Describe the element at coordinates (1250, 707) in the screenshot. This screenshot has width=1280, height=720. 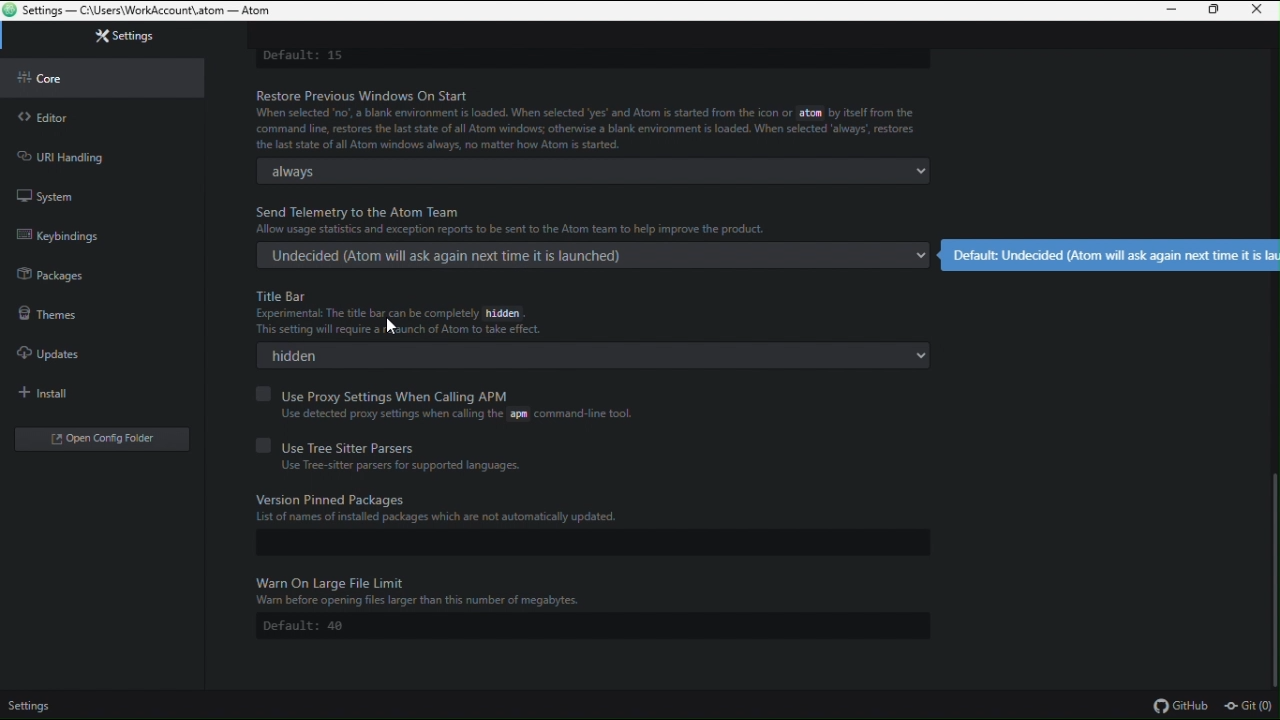
I see `git` at that location.